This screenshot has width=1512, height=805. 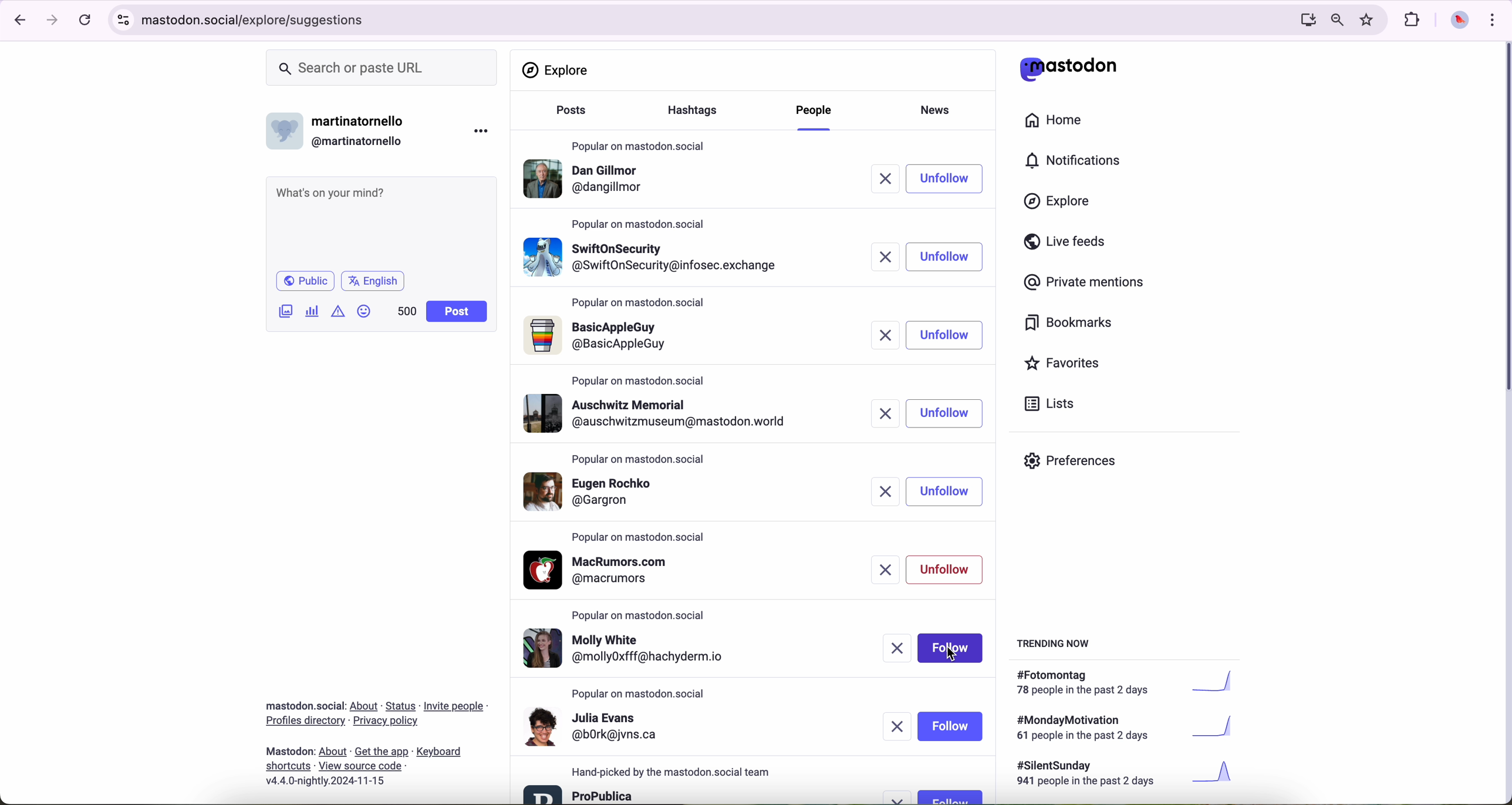 I want to click on popular on mastodon.social, so click(x=644, y=613).